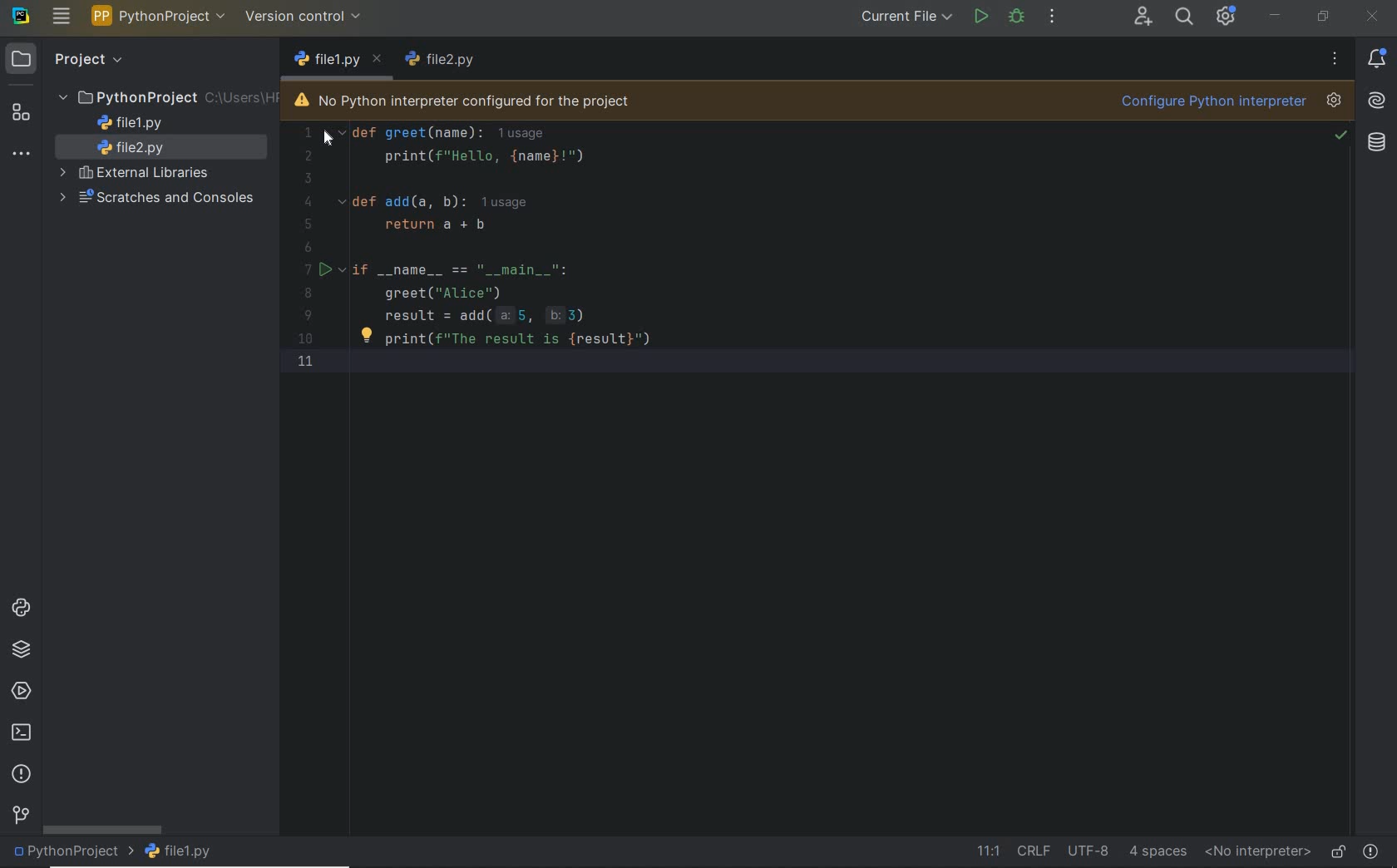 Image resolution: width=1397 pixels, height=868 pixels. Describe the element at coordinates (1185, 19) in the screenshot. I see `search everywhere` at that location.